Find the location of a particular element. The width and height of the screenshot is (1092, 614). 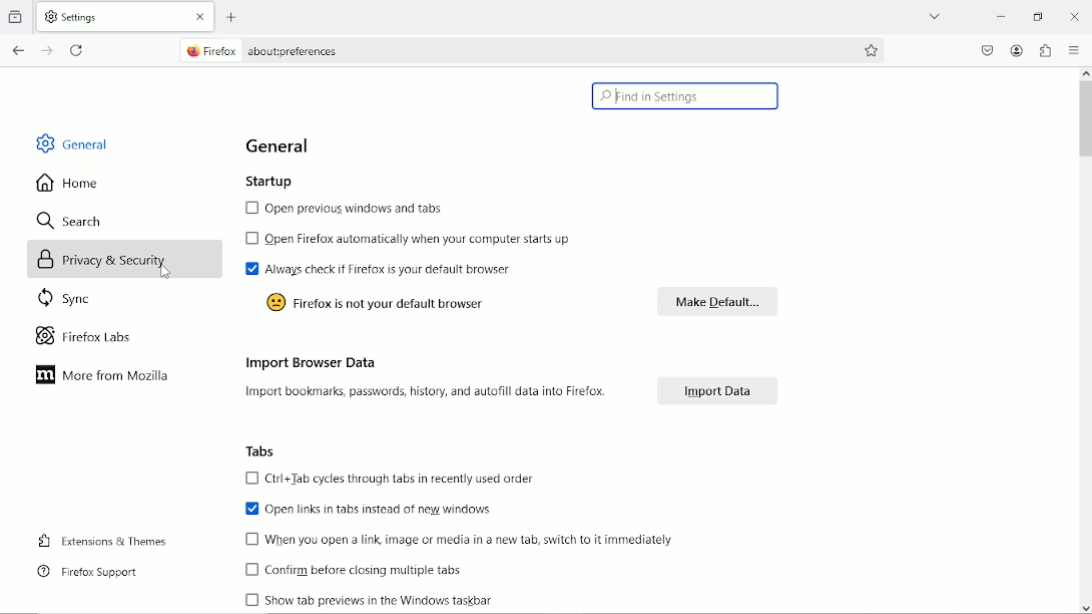

text is located at coordinates (427, 392).